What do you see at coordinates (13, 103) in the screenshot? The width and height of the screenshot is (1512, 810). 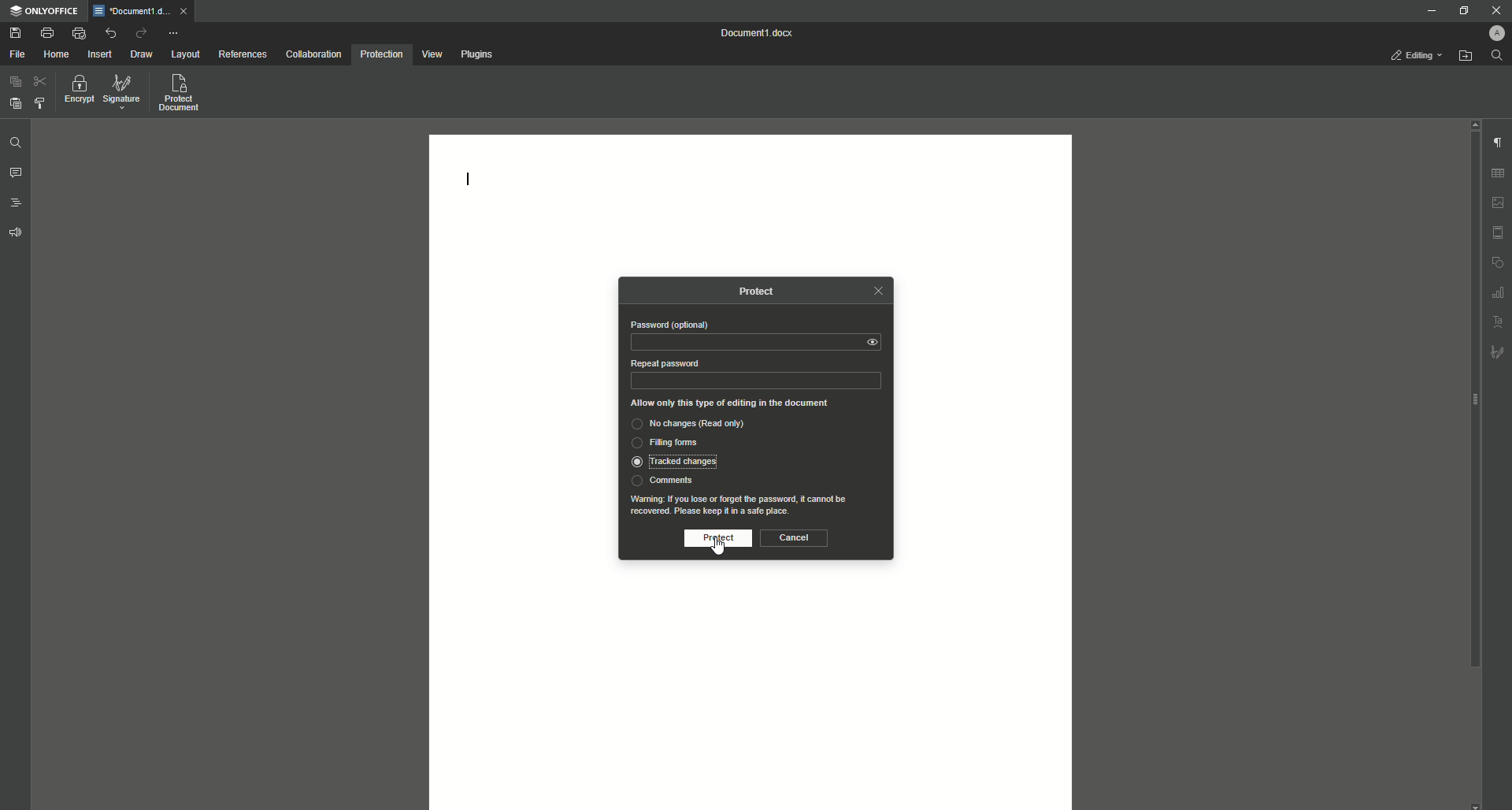 I see `Paste` at bounding box center [13, 103].